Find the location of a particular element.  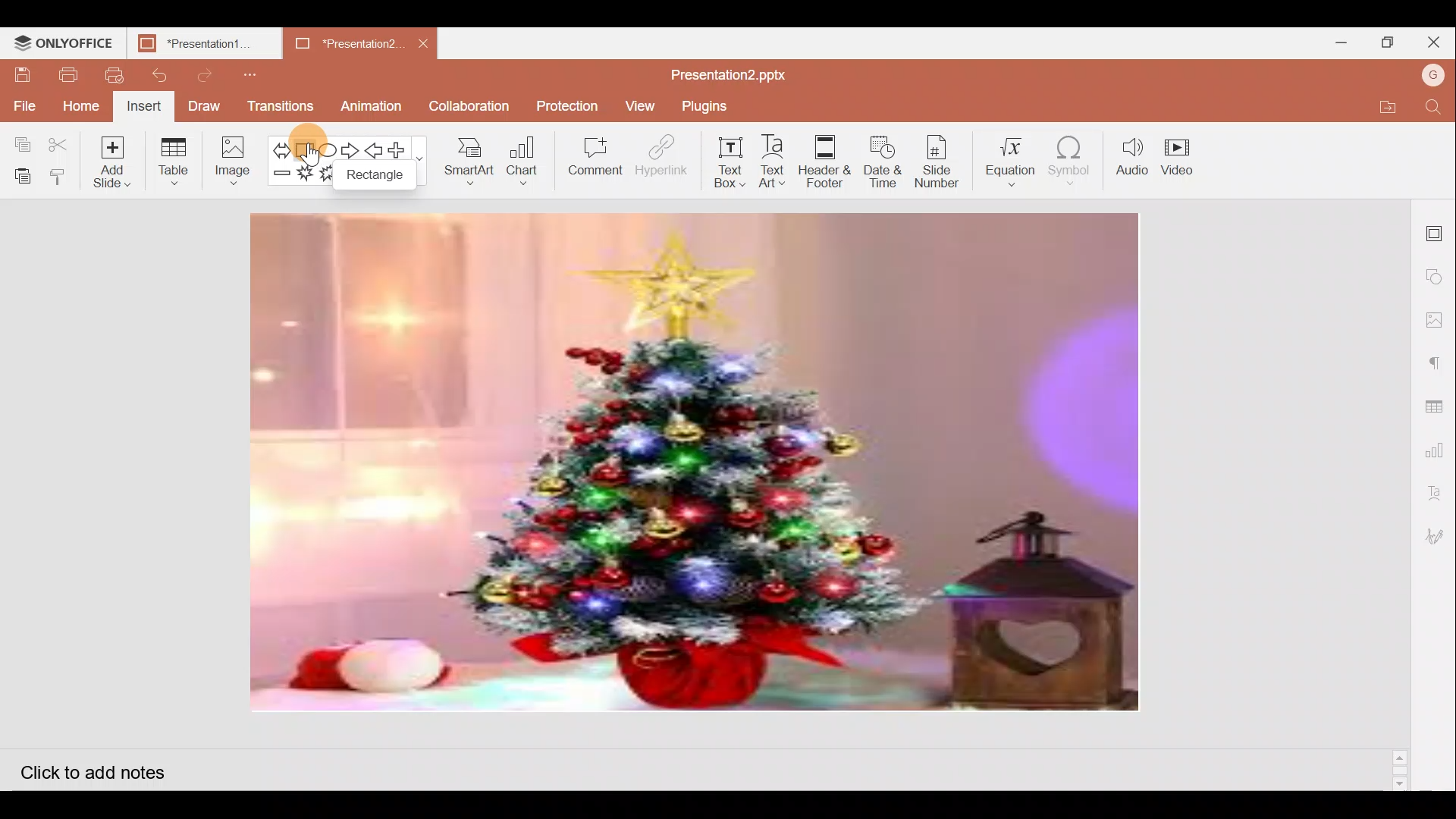

Text Art settings is located at coordinates (1441, 490).